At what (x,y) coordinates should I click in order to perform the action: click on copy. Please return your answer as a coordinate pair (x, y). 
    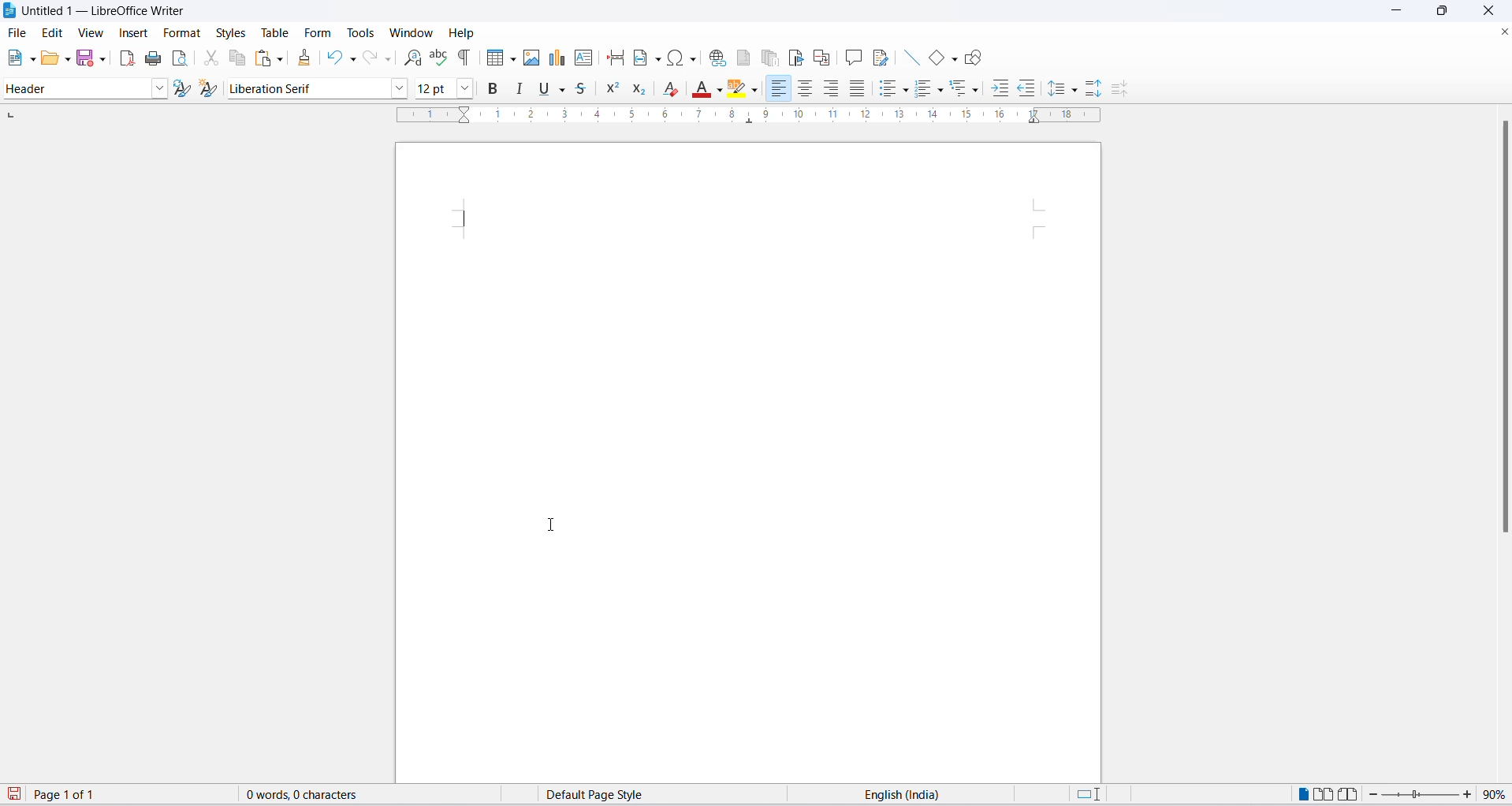
    Looking at the image, I should click on (236, 58).